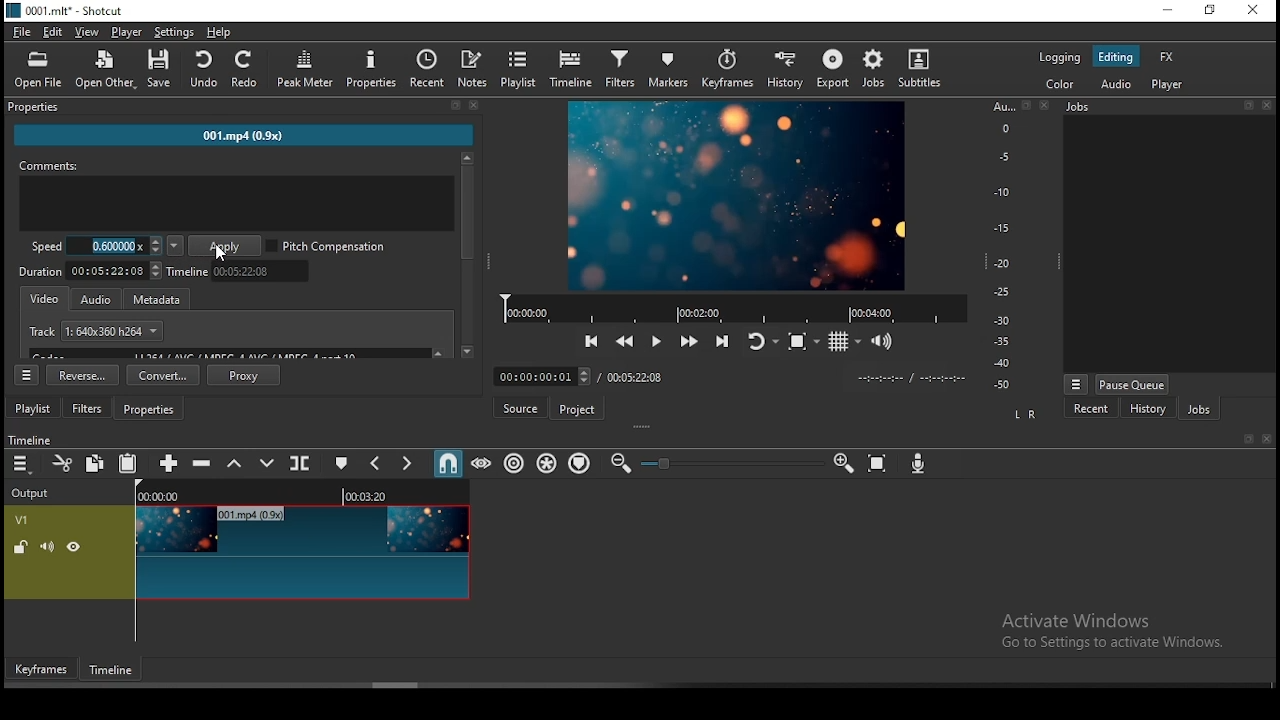 The height and width of the screenshot is (720, 1280). What do you see at coordinates (87, 271) in the screenshot?
I see `video duration` at bounding box center [87, 271].